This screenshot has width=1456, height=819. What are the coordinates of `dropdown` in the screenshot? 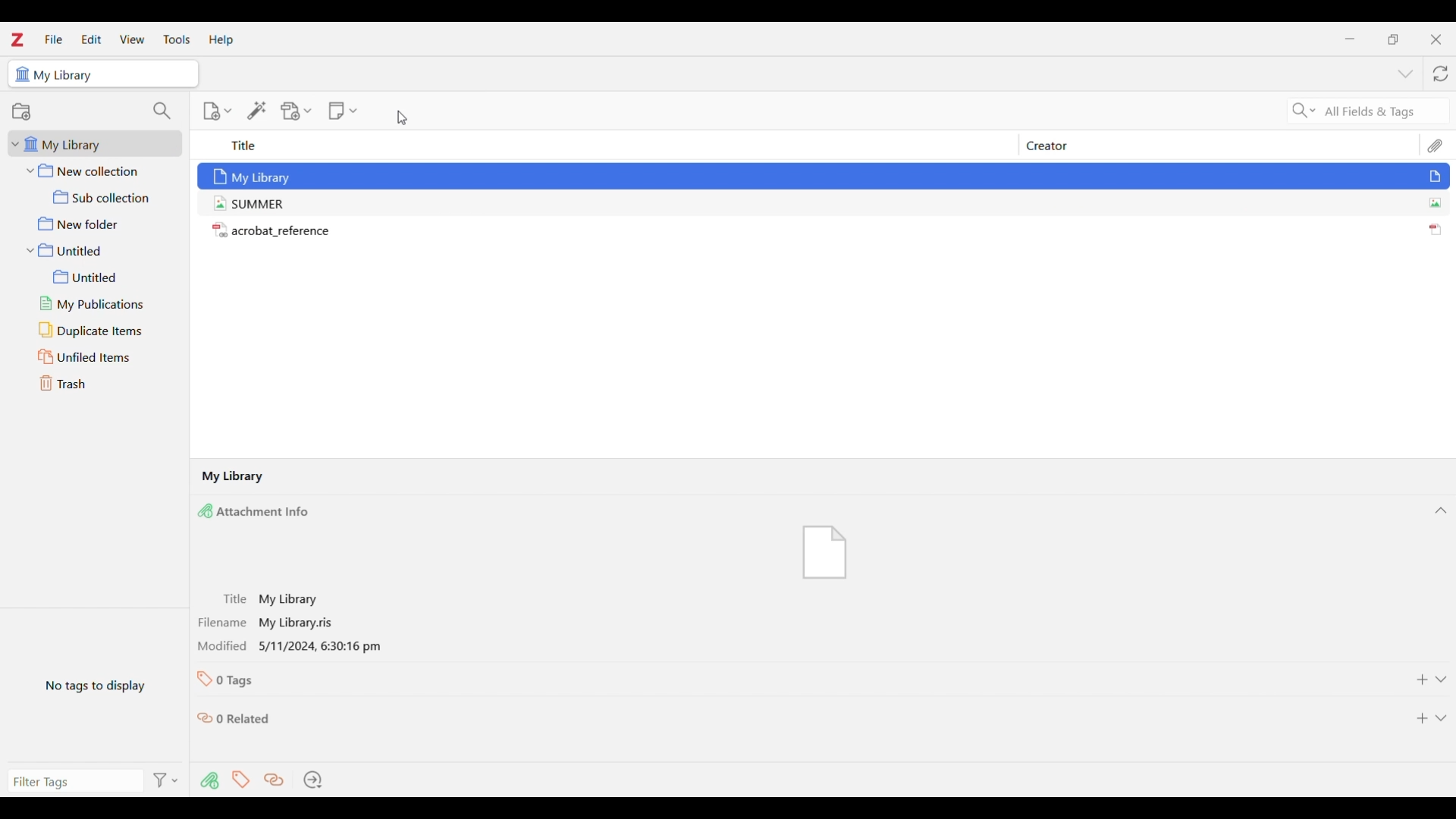 It's located at (1444, 680).